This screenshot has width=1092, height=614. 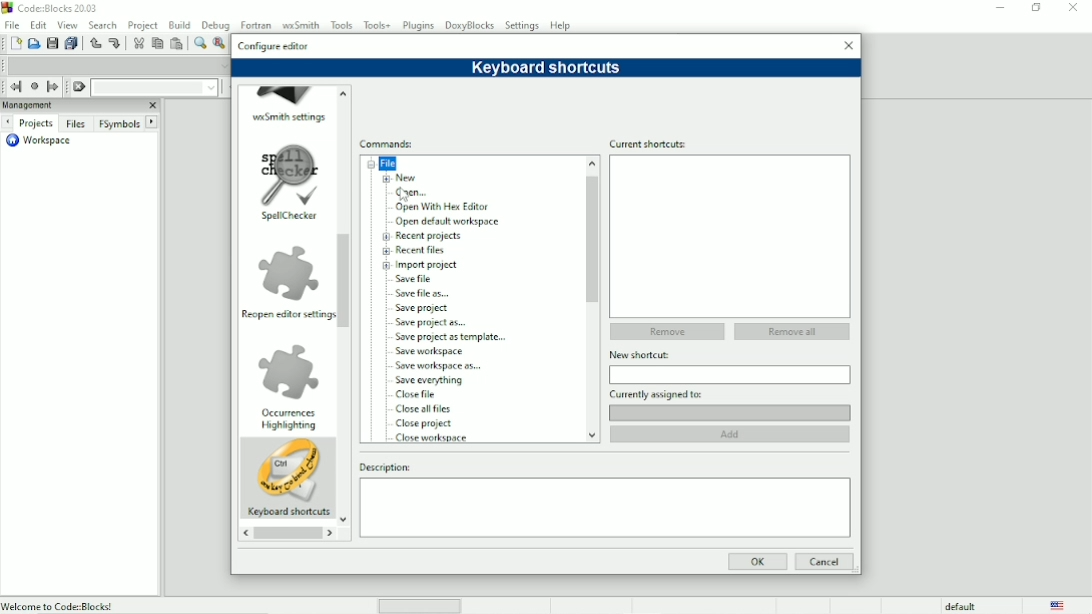 I want to click on FSymbols, so click(x=119, y=124).